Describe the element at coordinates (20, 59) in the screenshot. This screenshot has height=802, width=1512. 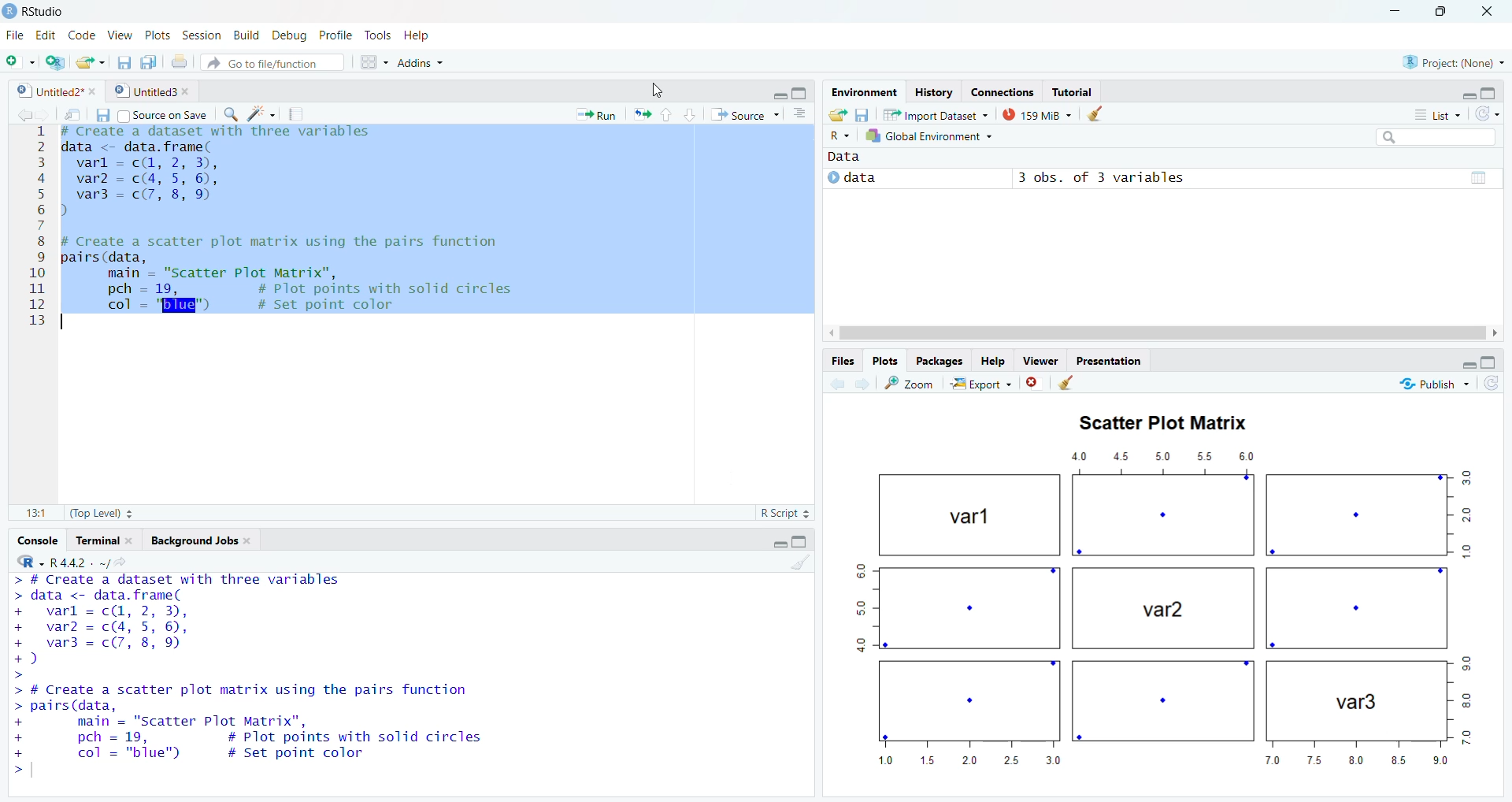
I see `New file` at that location.